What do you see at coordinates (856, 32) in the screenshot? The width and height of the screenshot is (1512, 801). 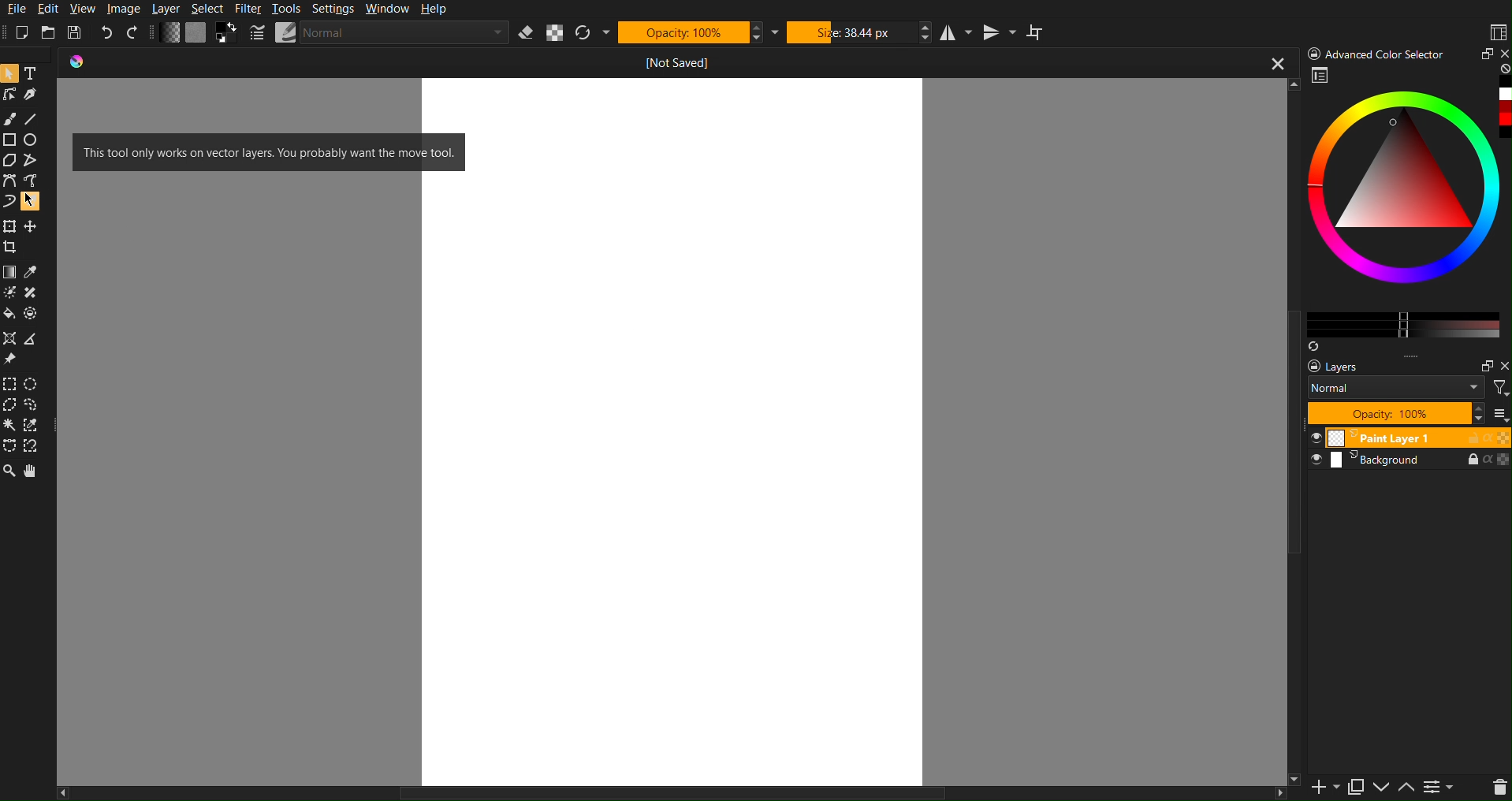 I see `Size` at bounding box center [856, 32].